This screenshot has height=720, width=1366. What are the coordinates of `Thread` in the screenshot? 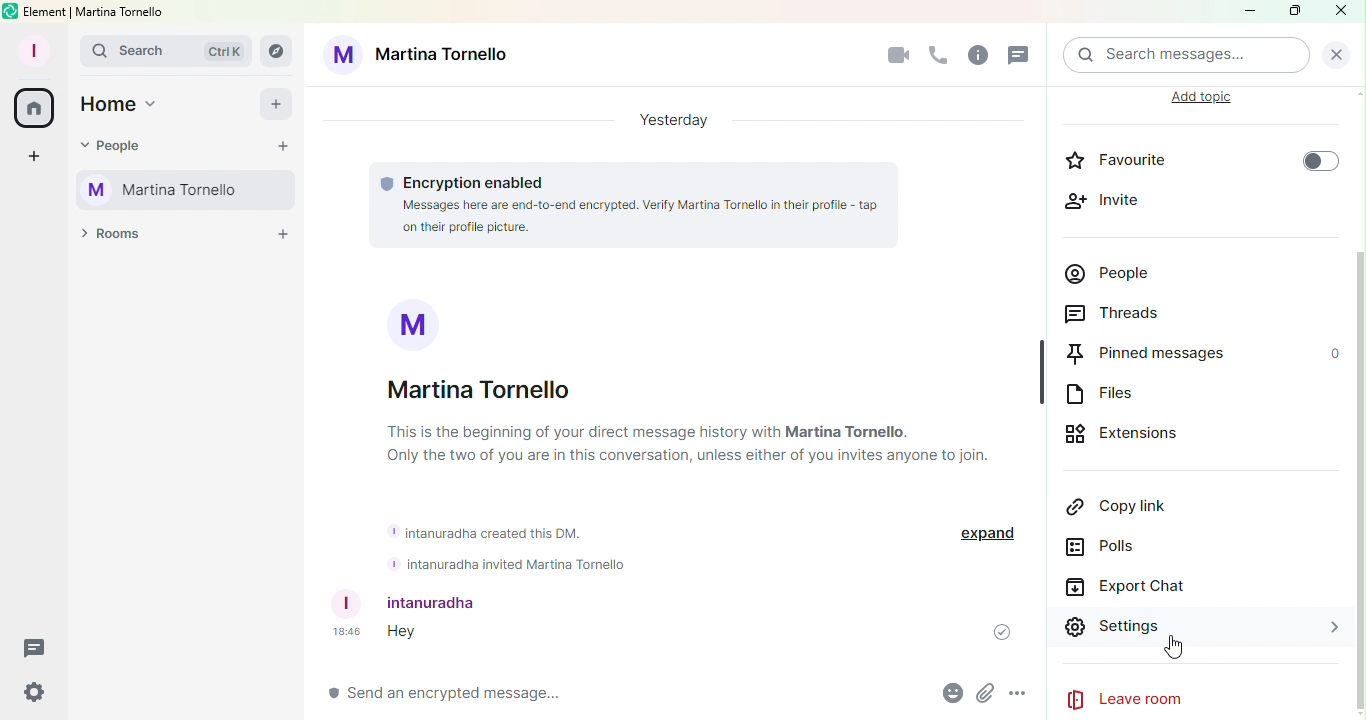 It's located at (1021, 54).